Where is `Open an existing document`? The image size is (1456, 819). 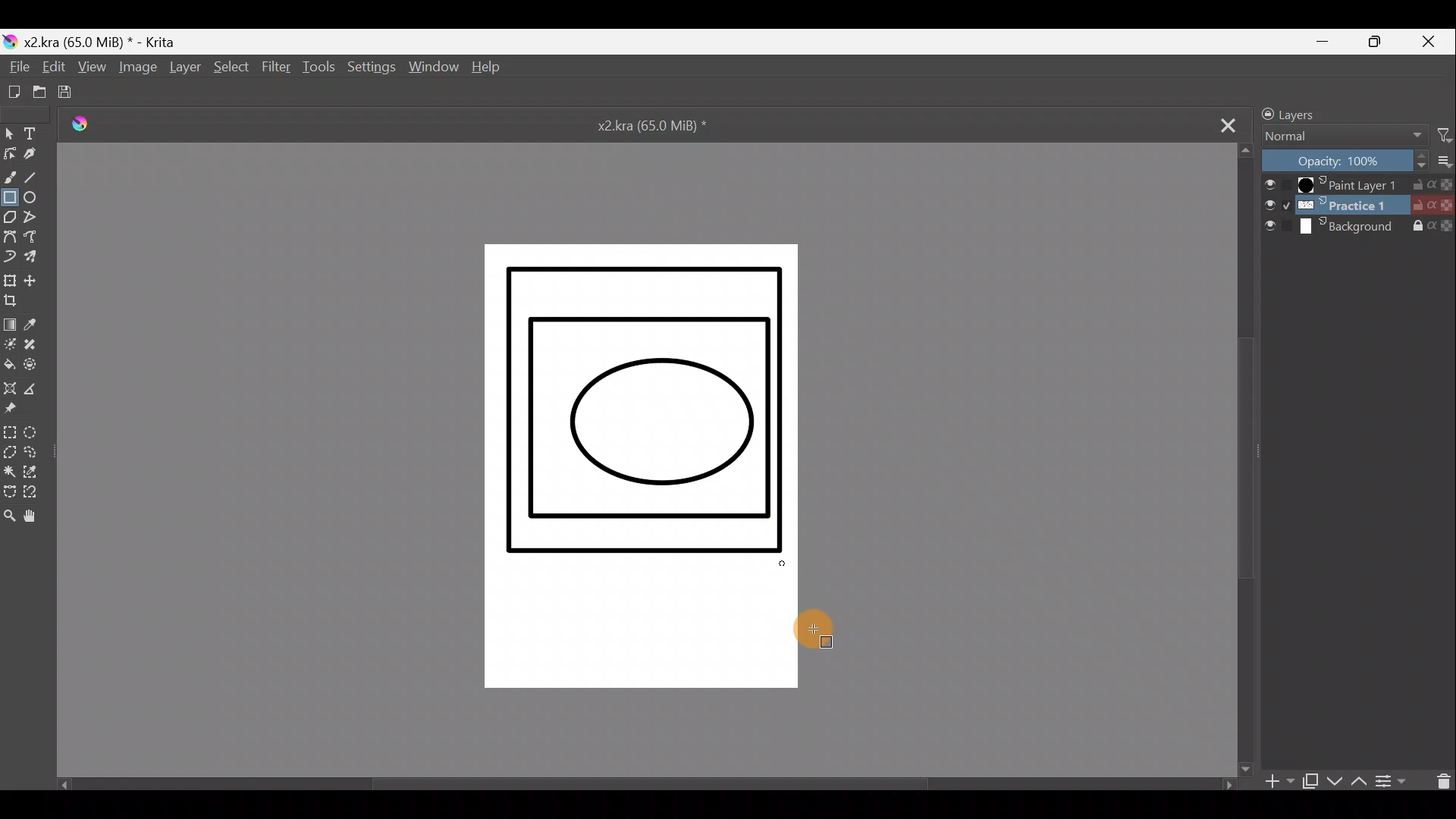 Open an existing document is located at coordinates (38, 93).